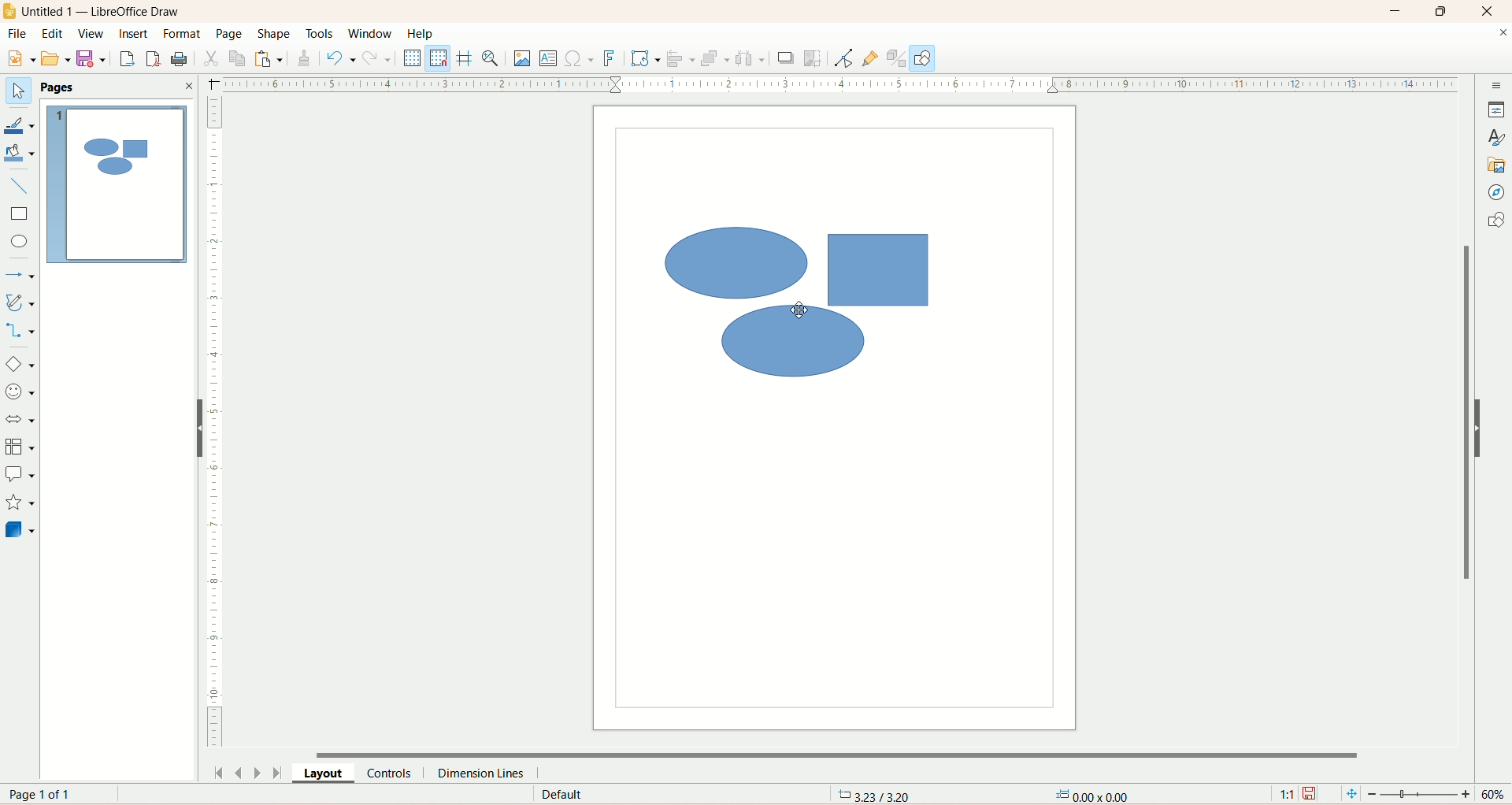 Image resolution: width=1512 pixels, height=805 pixels. I want to click on zoom percent, so click(1495, 794).